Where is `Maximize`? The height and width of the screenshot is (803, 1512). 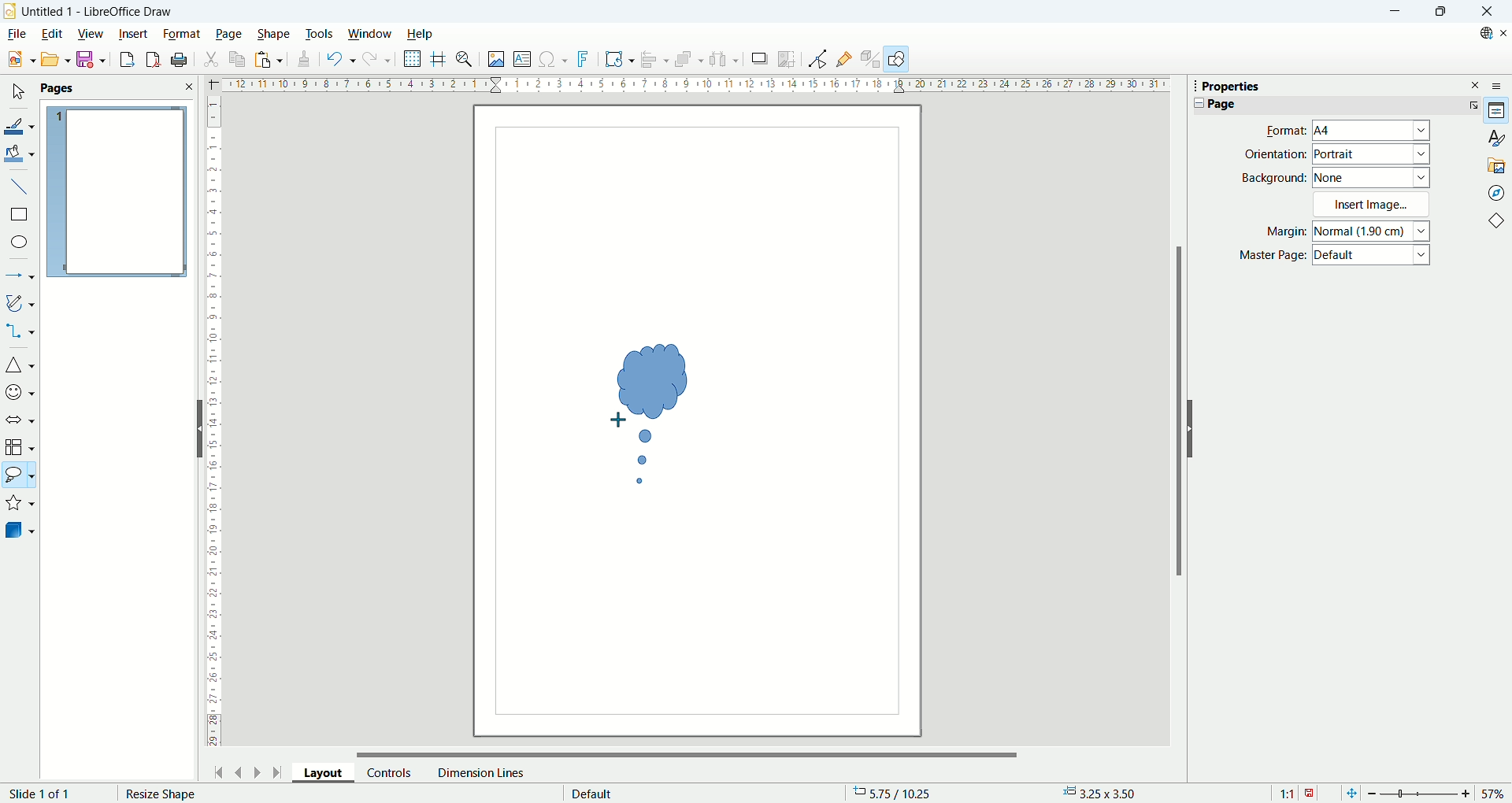
Maximize is located at coordinates (1440, 12).